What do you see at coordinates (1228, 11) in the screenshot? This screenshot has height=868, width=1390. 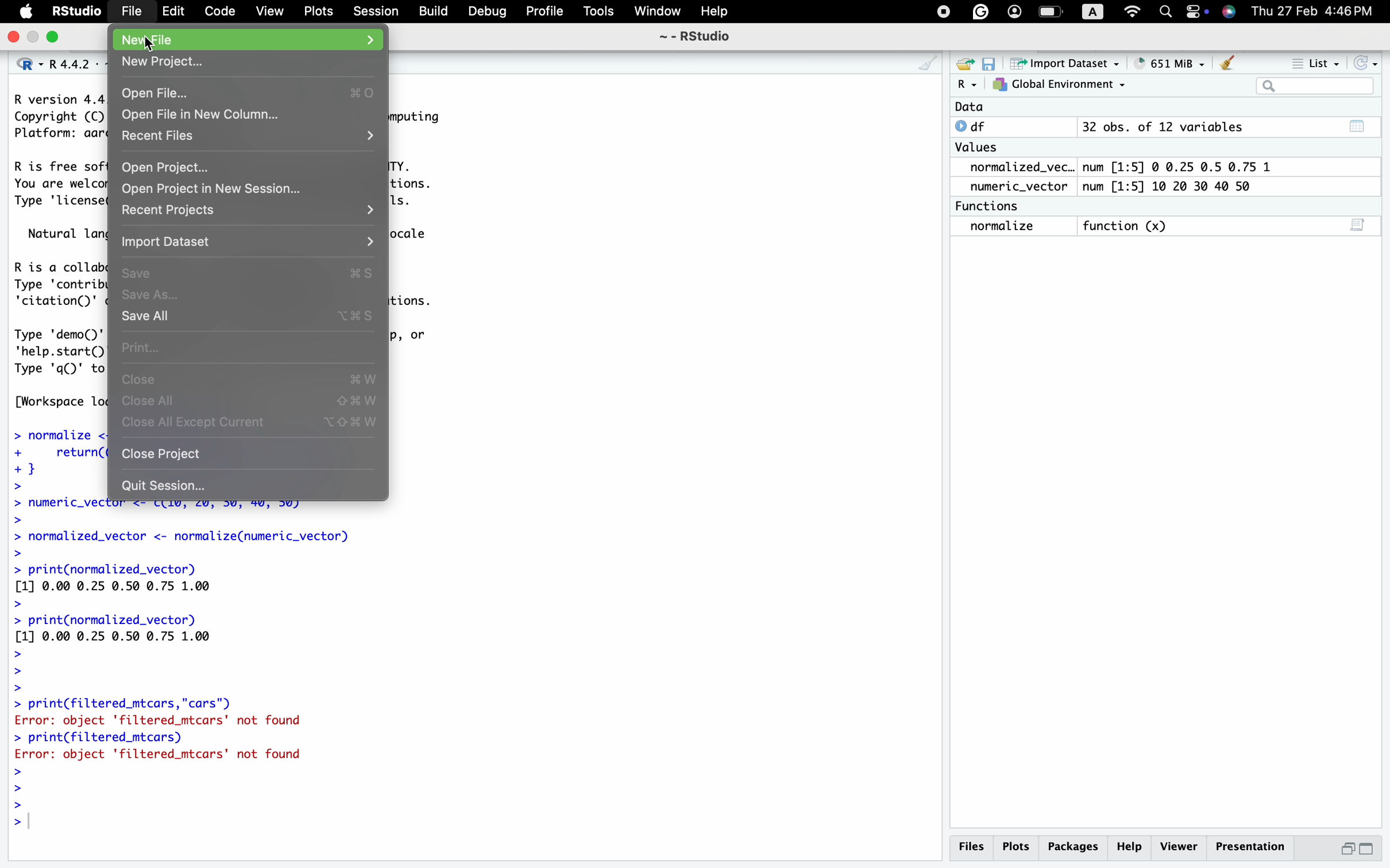 I see `utility` at bounding box center [1228, 11].